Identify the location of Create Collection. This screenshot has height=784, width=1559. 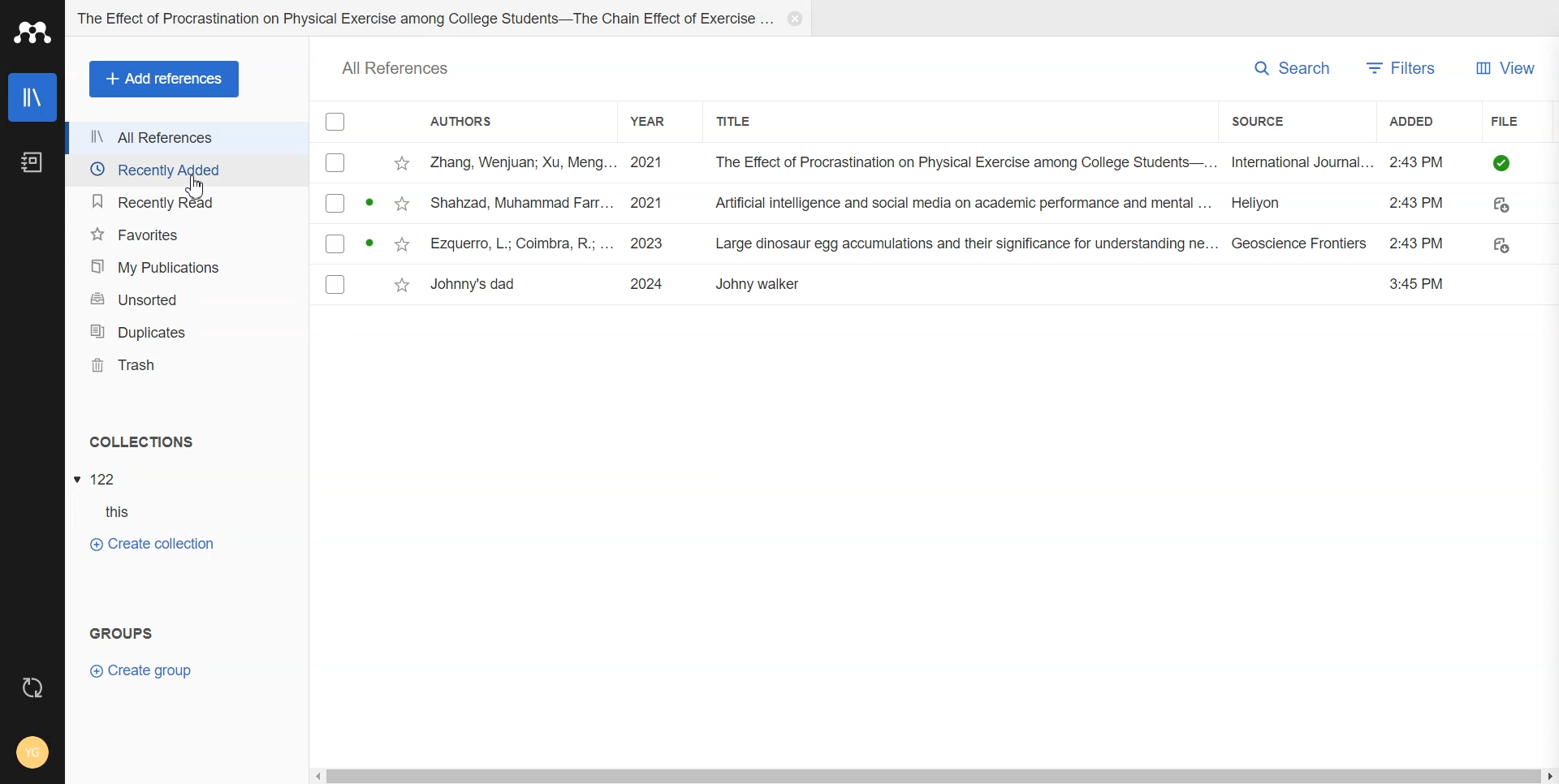
(152, 544).